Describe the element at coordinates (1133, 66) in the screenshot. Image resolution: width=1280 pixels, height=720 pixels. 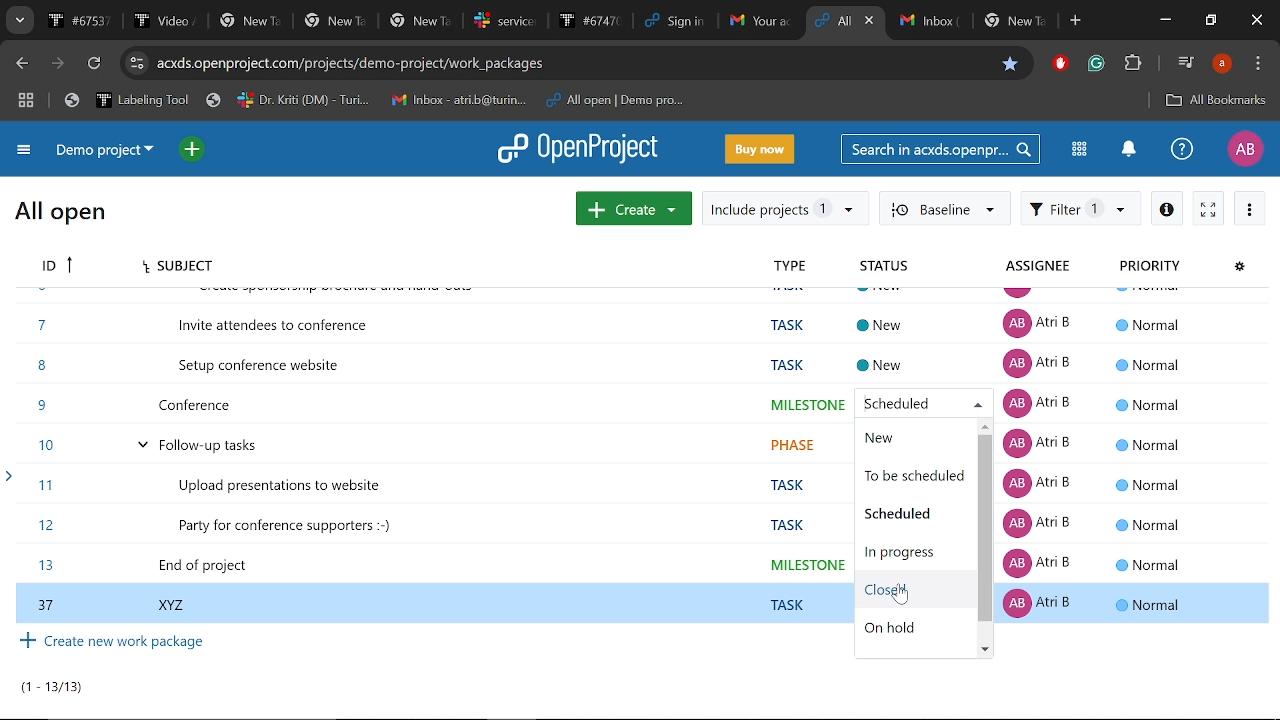
I see `Extensions` at that location.